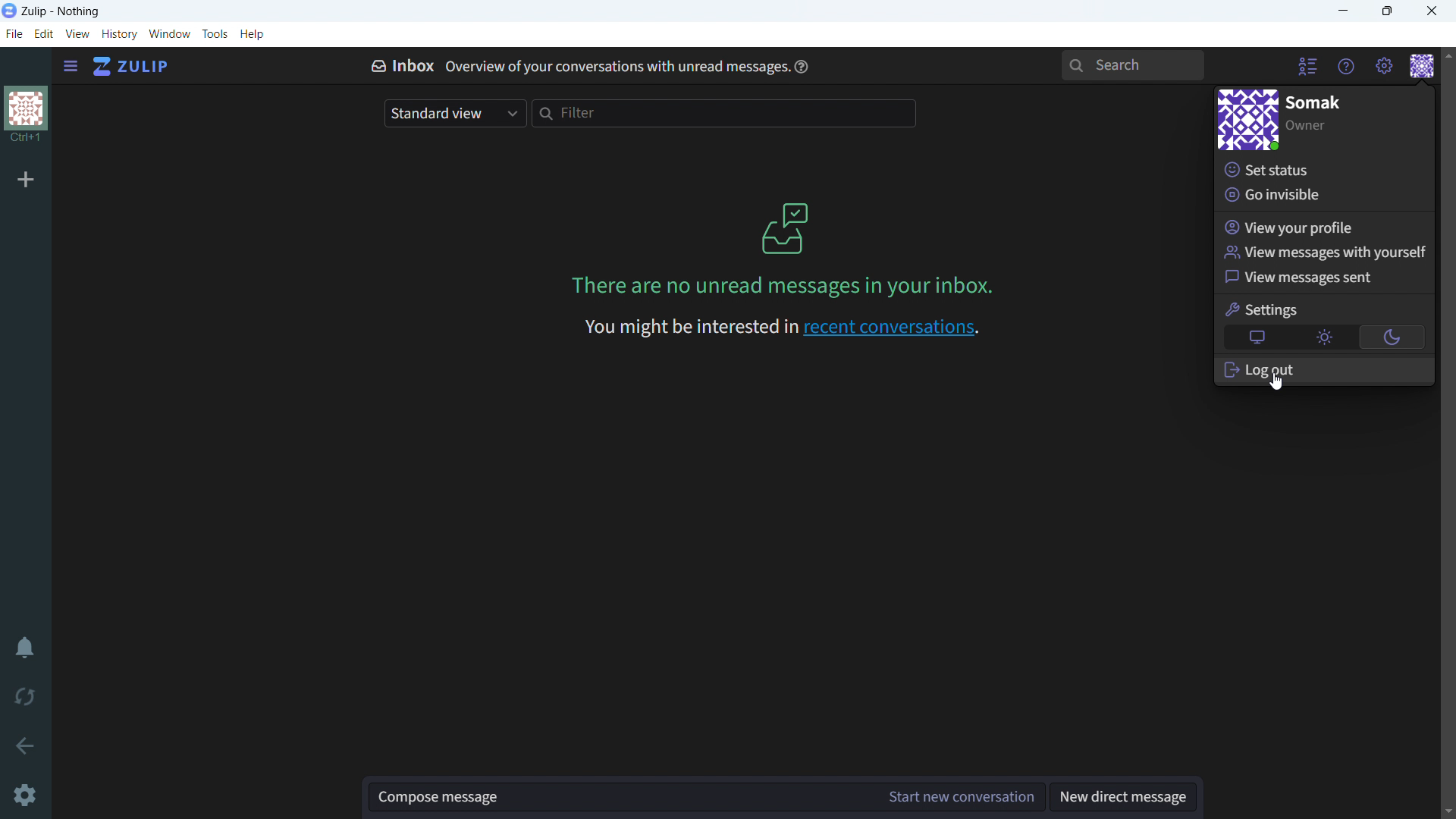 This screenshot has height=819, width=1456. Describe the element at coordinates (120, 34) in the screenshot. I see `history` at that location.